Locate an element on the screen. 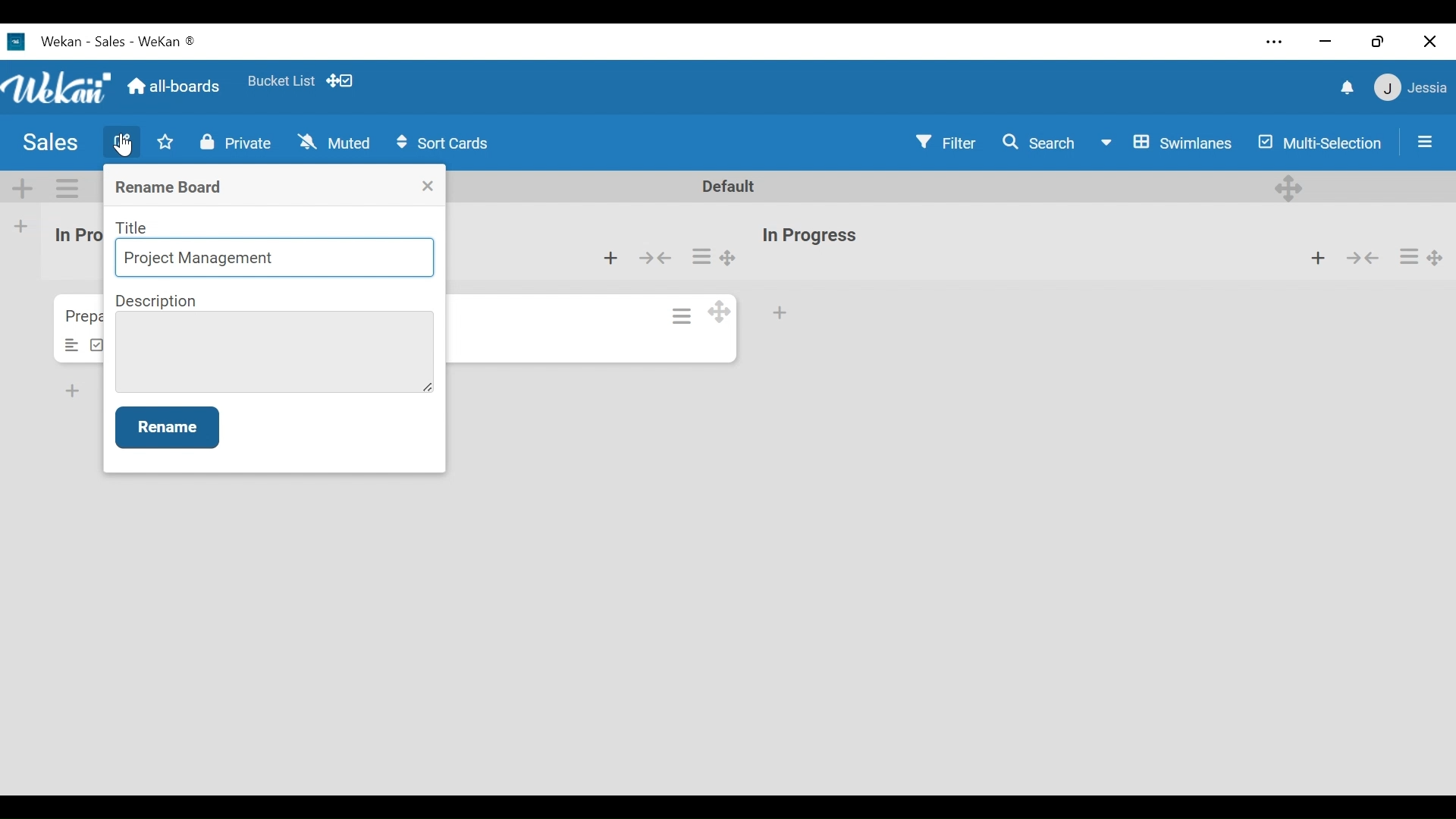  Sort cards is located at coordinates (442, 144).